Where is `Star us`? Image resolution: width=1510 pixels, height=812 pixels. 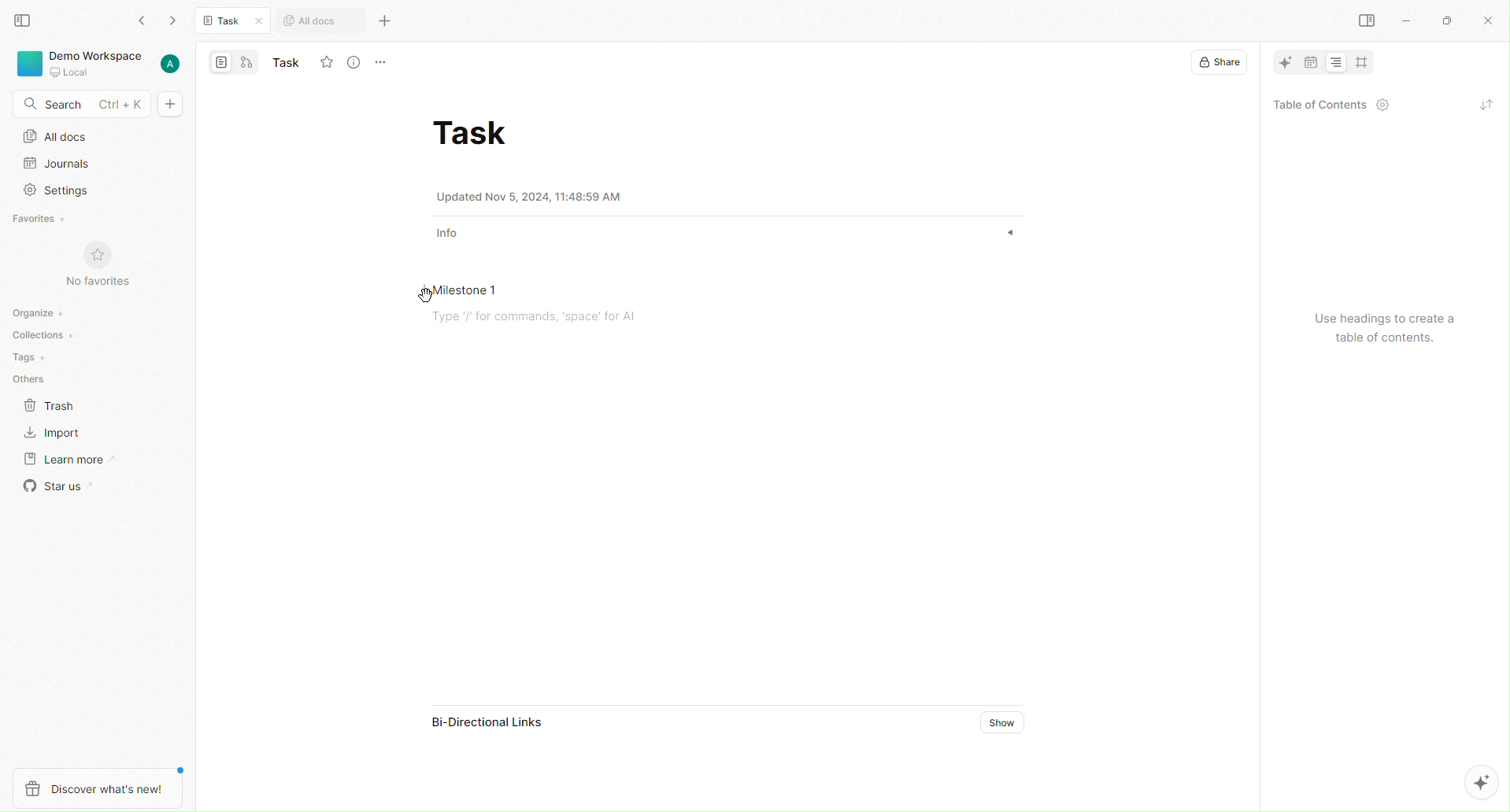 Star us is located at coordinates (55, 487).